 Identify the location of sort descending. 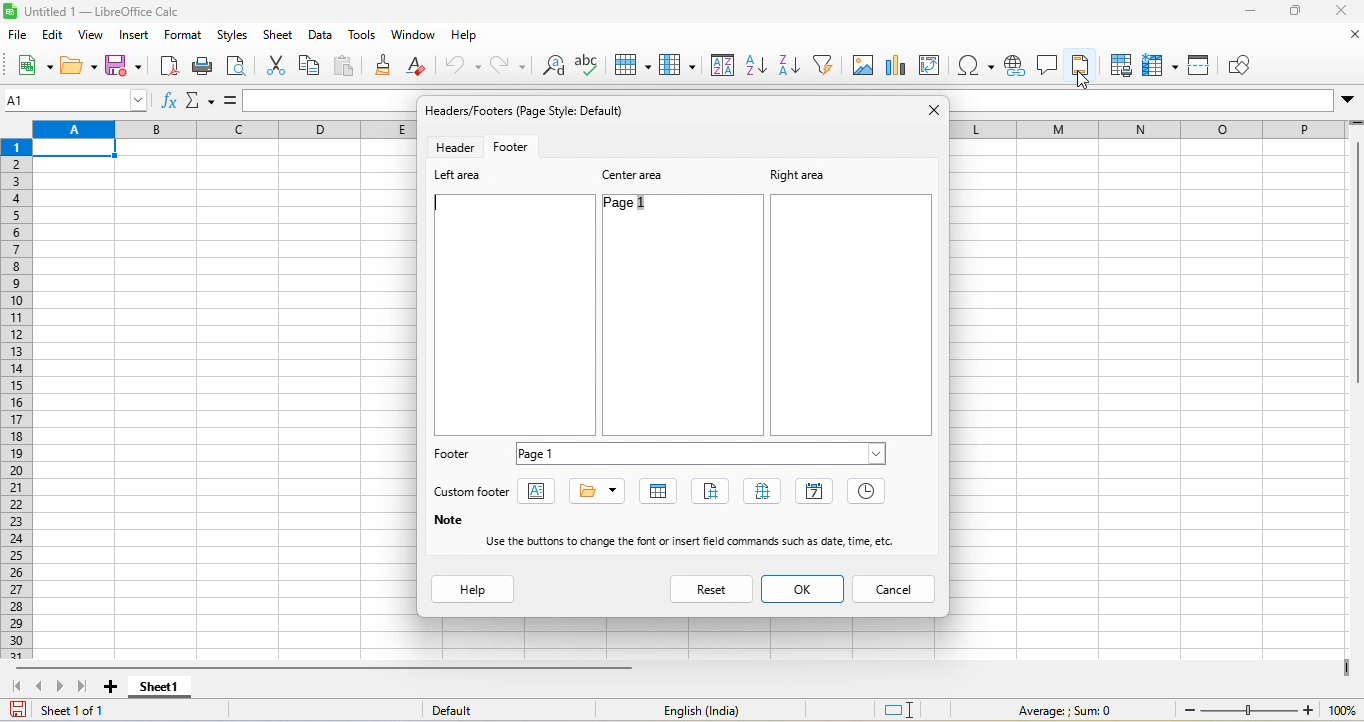
(791, 66).